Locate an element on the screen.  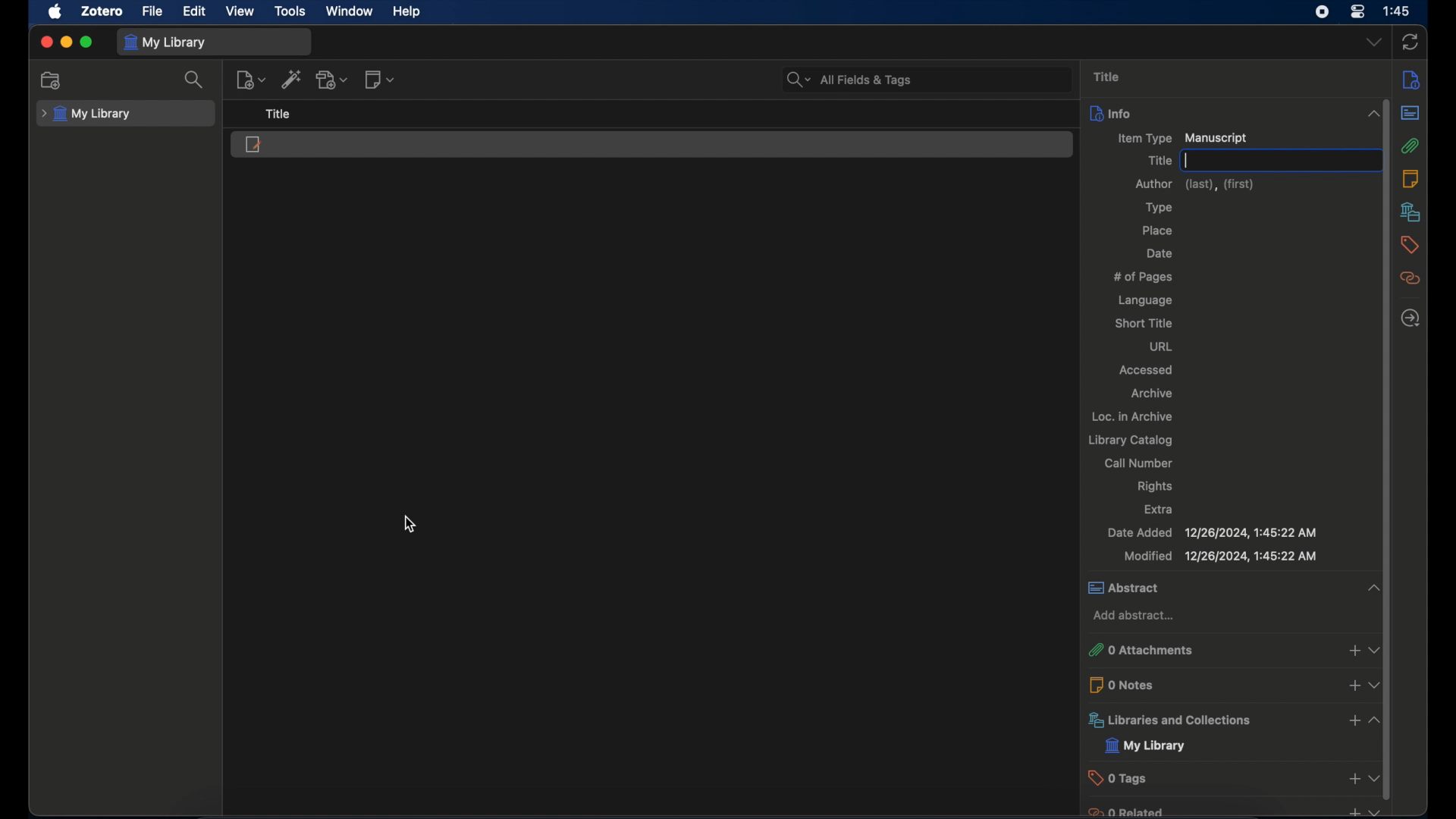
cursor is located at coordinates (409, 524).